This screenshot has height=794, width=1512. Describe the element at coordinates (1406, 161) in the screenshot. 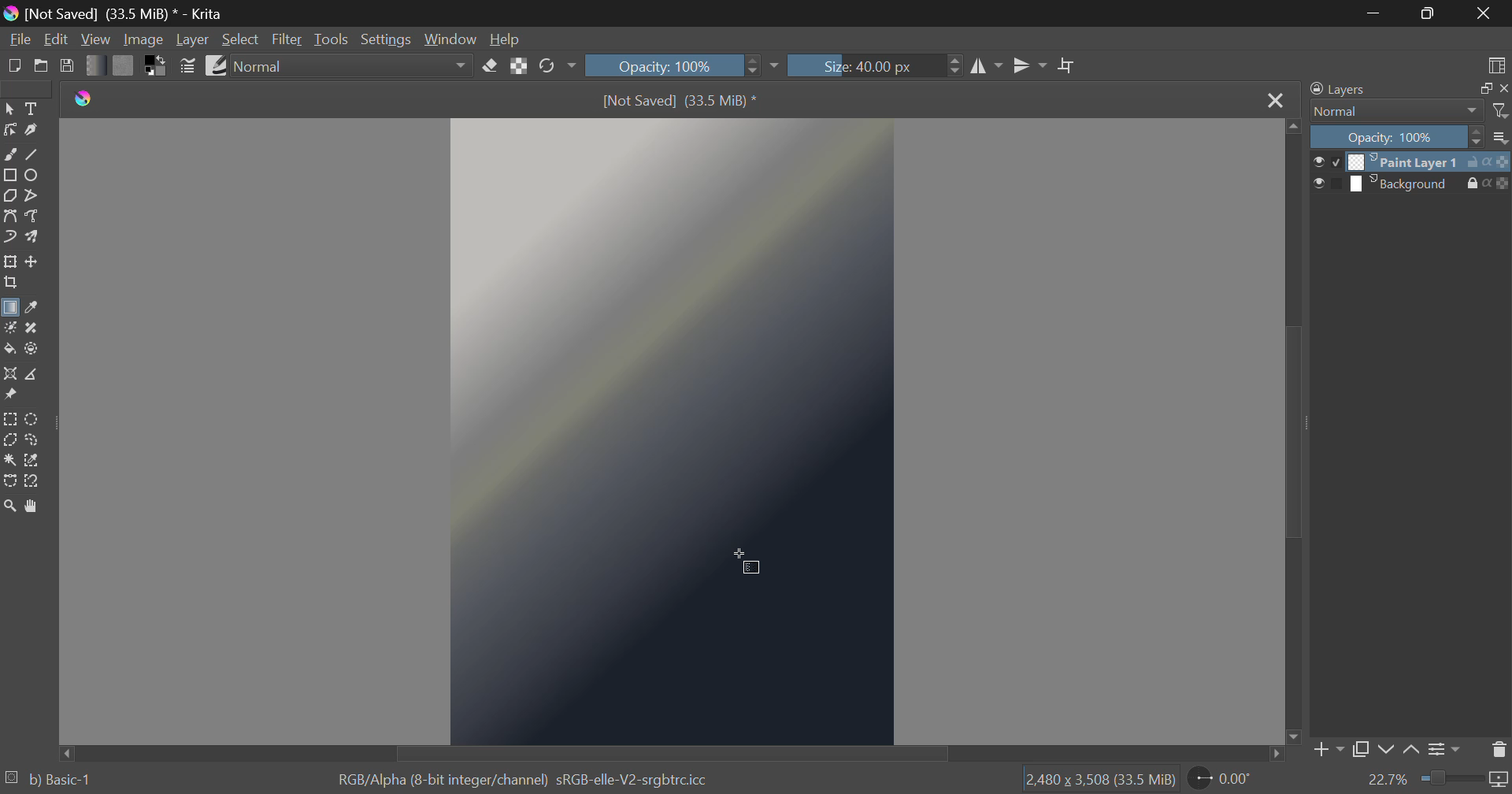

I see `Paint Layer 1` at that location.